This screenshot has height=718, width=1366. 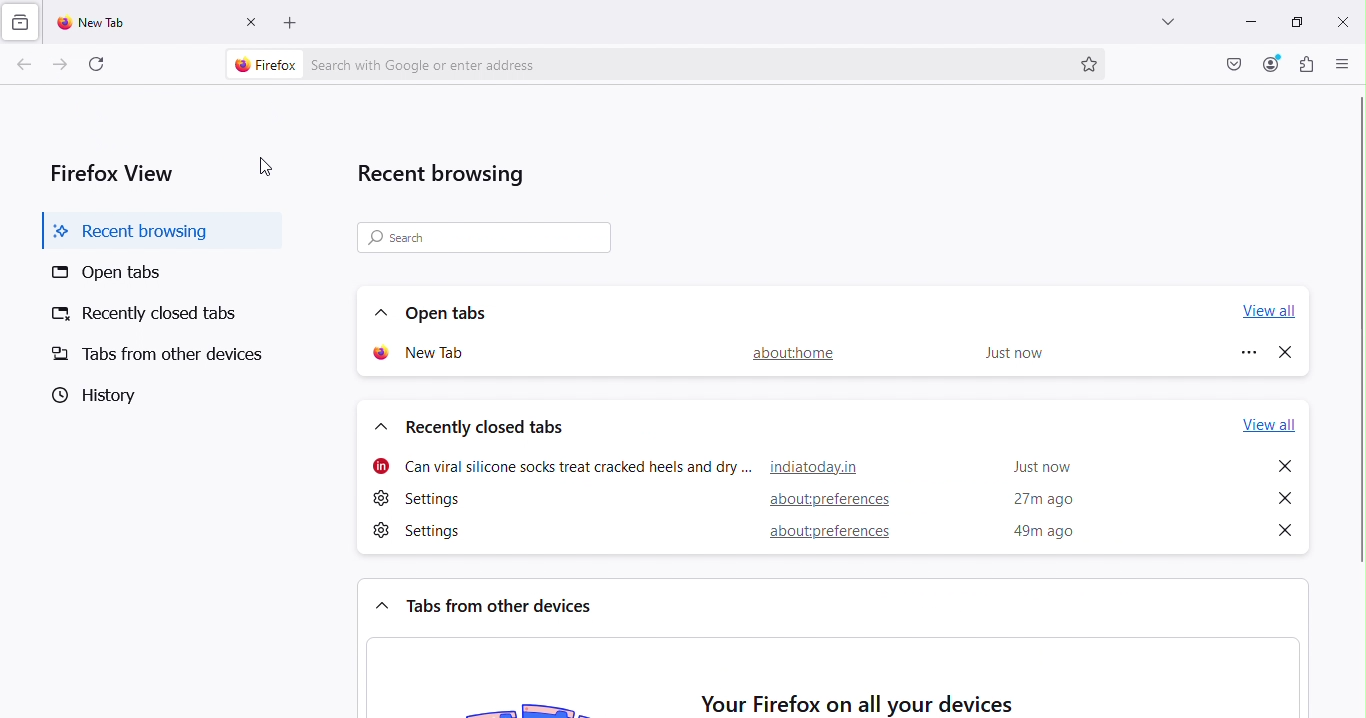 What do you see at coordinates (1230, 63) in the screenshot?
I see `Save to pocket` at bounding box center [1230, 63].